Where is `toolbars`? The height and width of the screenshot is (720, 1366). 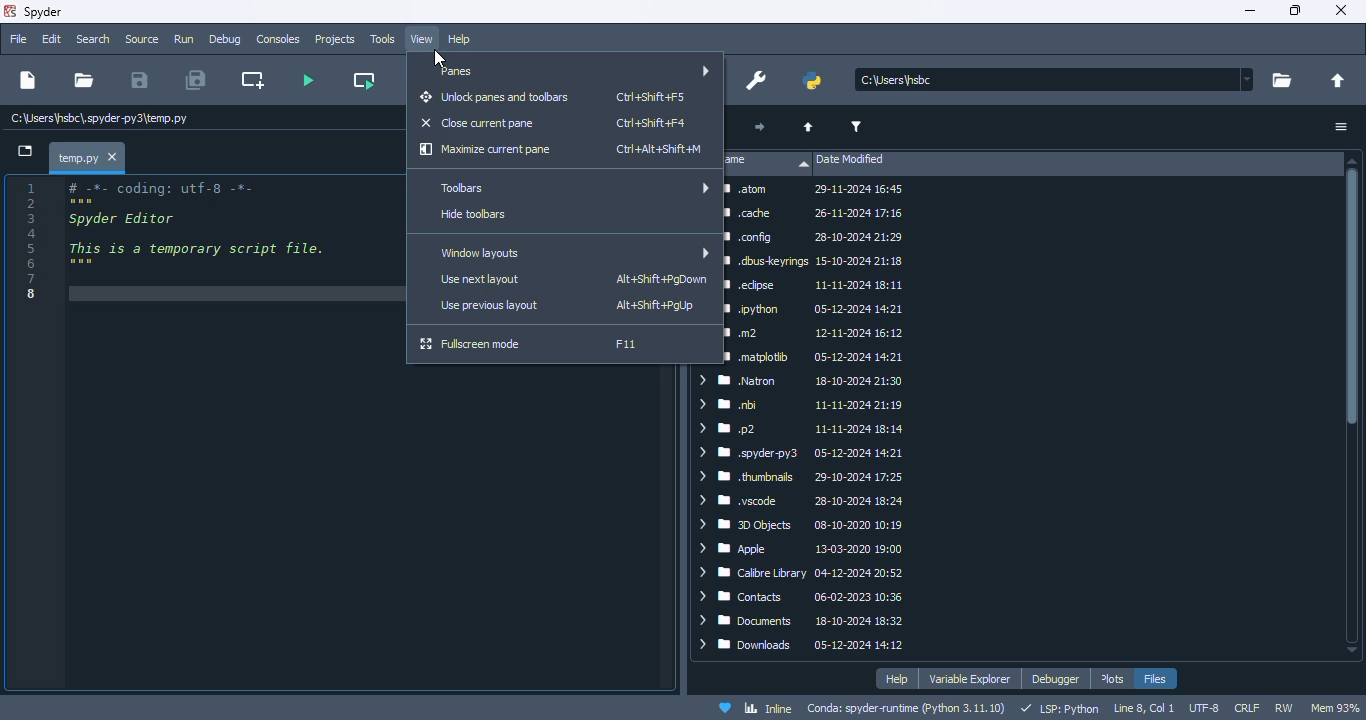 toolbars is located at coordinates (570, 188).